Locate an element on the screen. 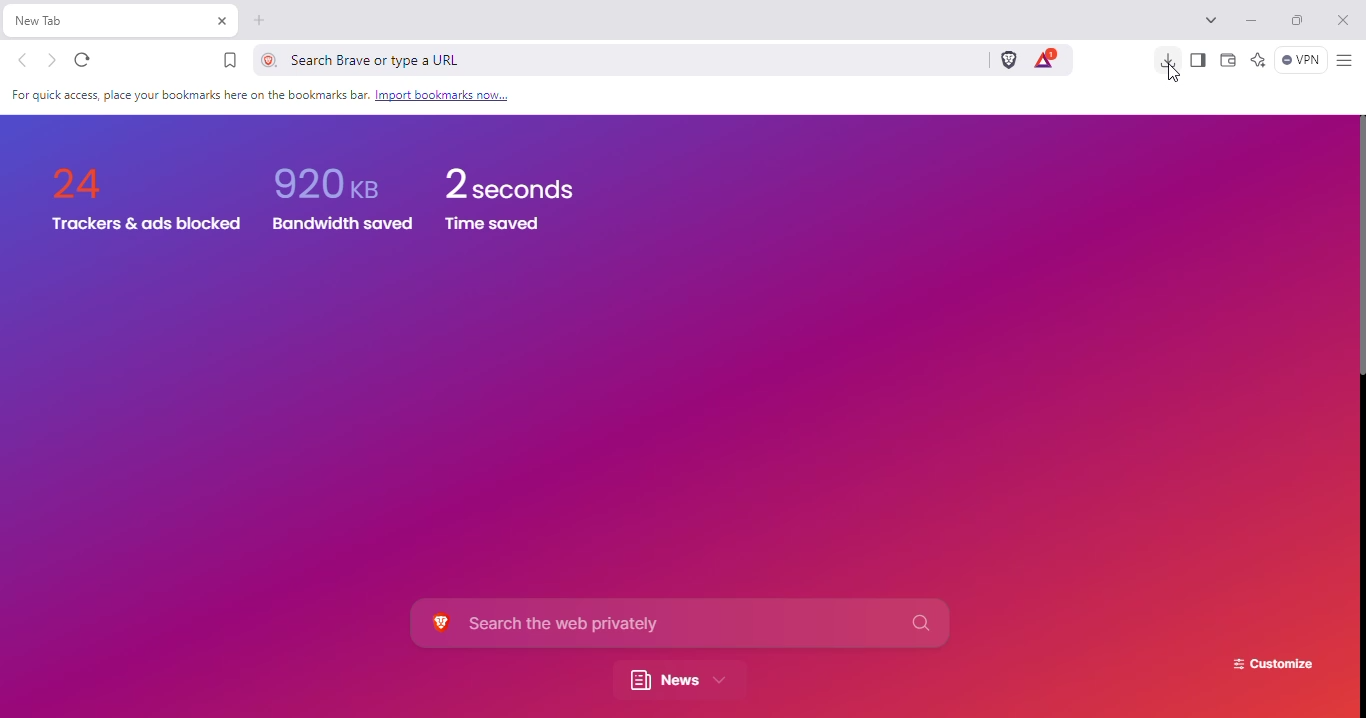 The image size is (1366, 718). search brave or type a URL is located at coordinates (612, 59).